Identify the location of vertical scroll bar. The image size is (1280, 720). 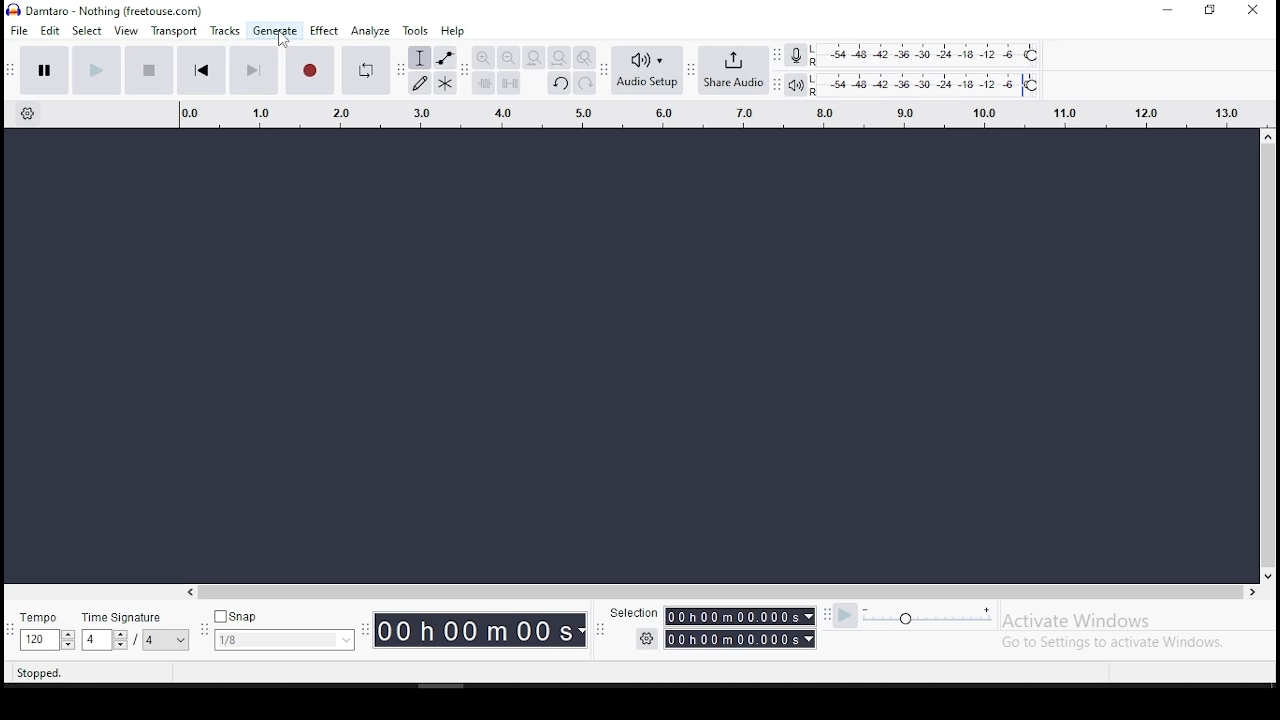
(1258, 313).